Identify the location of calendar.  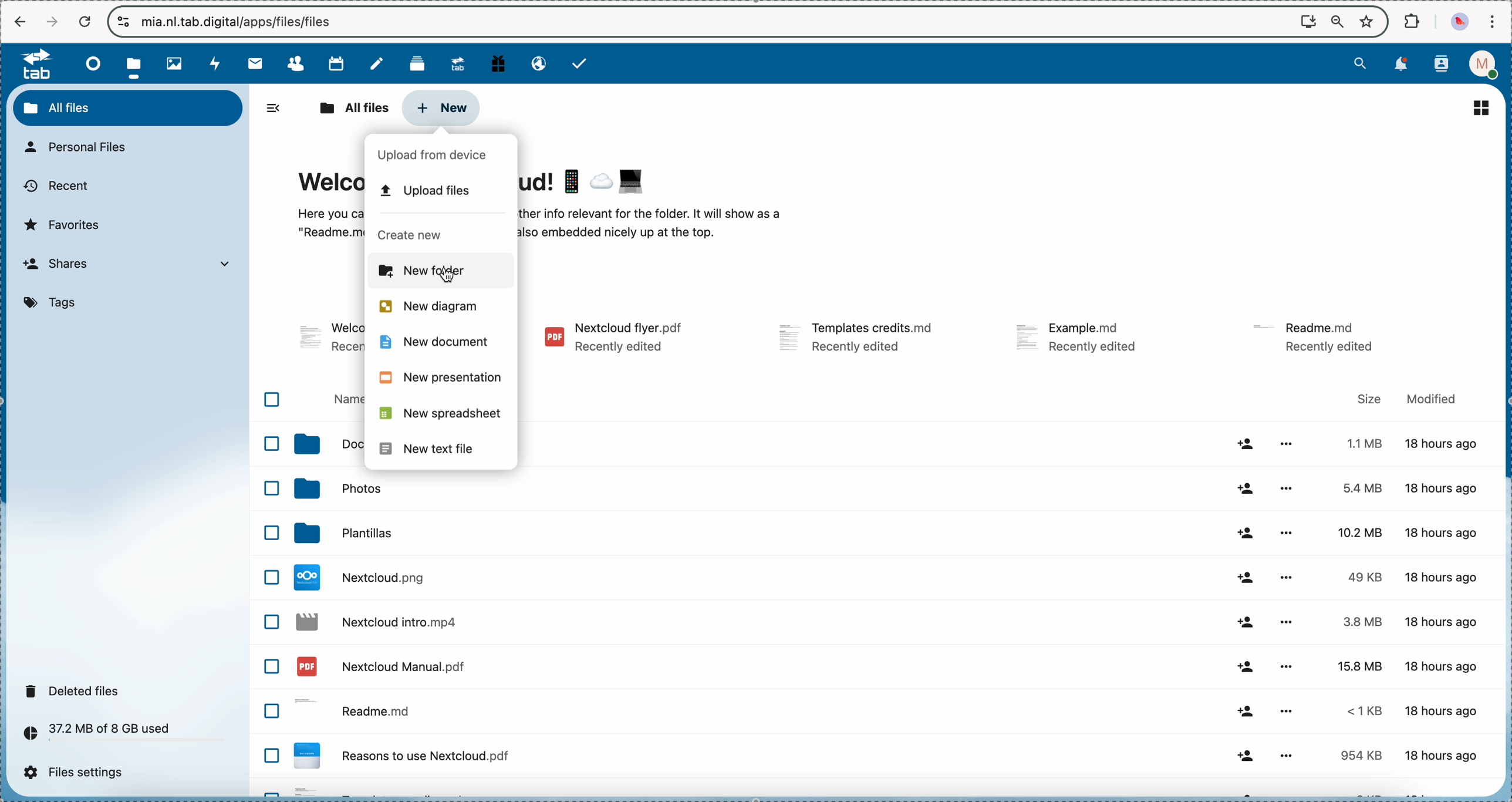
(336, 62).